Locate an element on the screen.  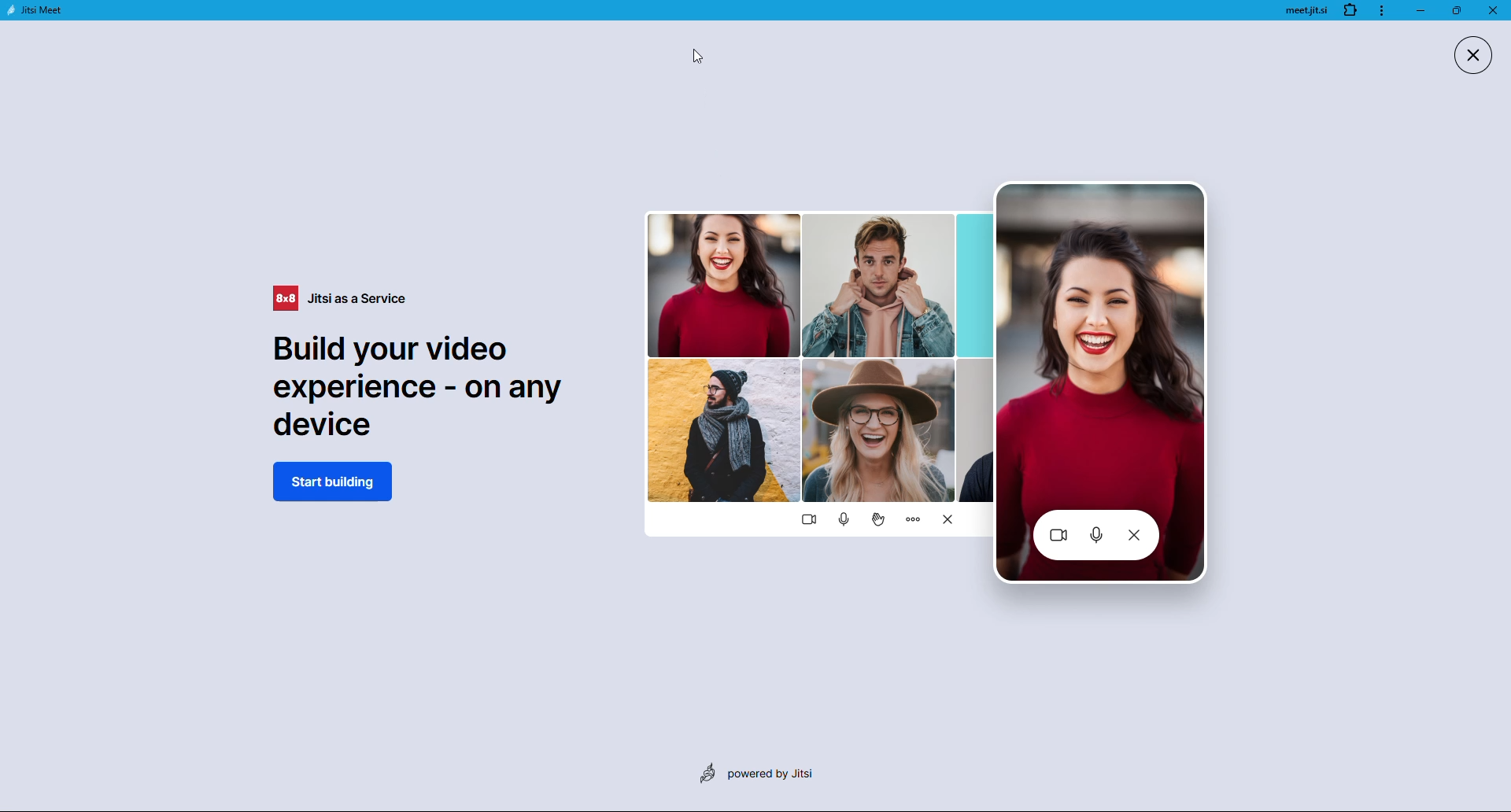
cursor is located at coordinates (696, 61).